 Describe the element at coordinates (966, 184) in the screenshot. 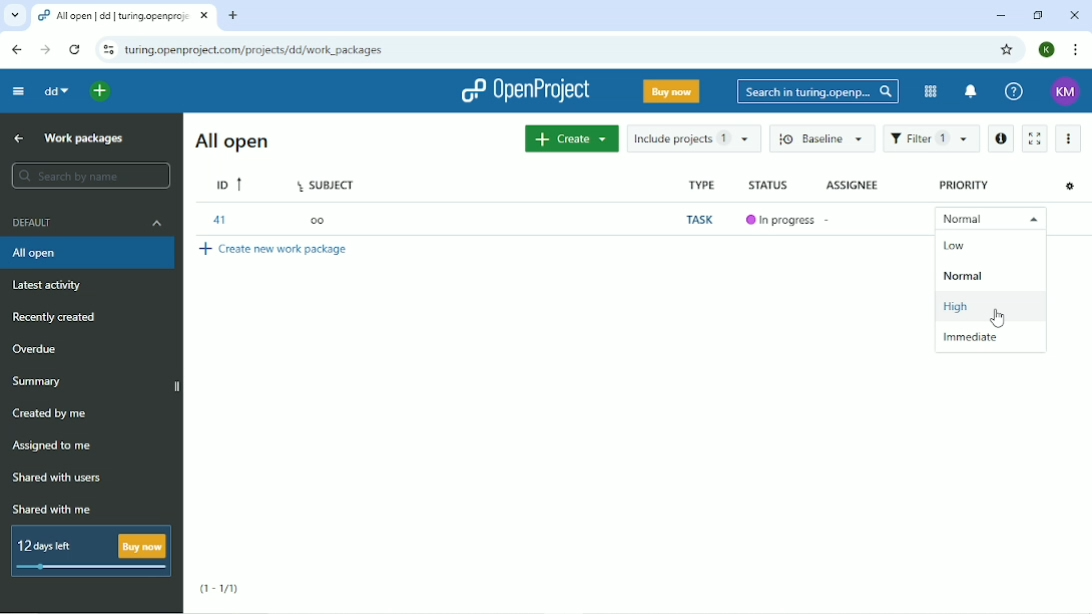

I see `Priority` at that location.